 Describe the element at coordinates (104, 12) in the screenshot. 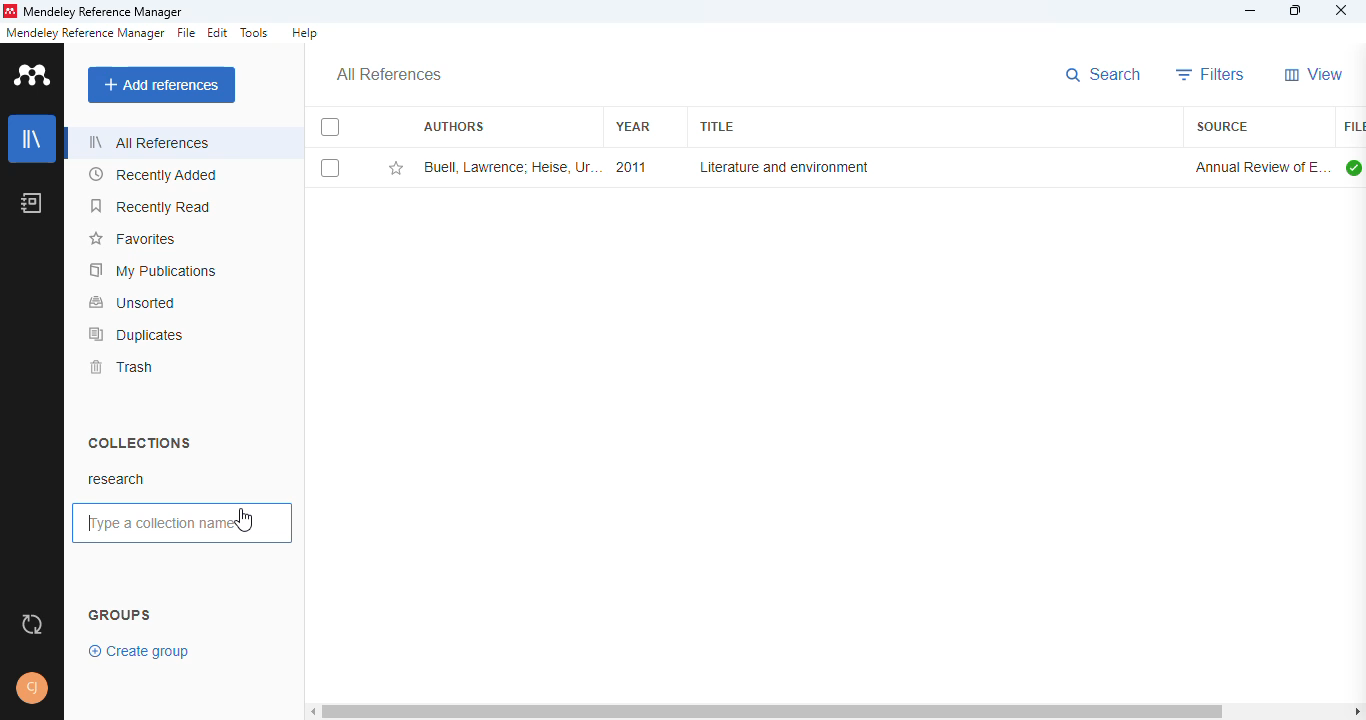

I see `mendeley reference manager` at that location.